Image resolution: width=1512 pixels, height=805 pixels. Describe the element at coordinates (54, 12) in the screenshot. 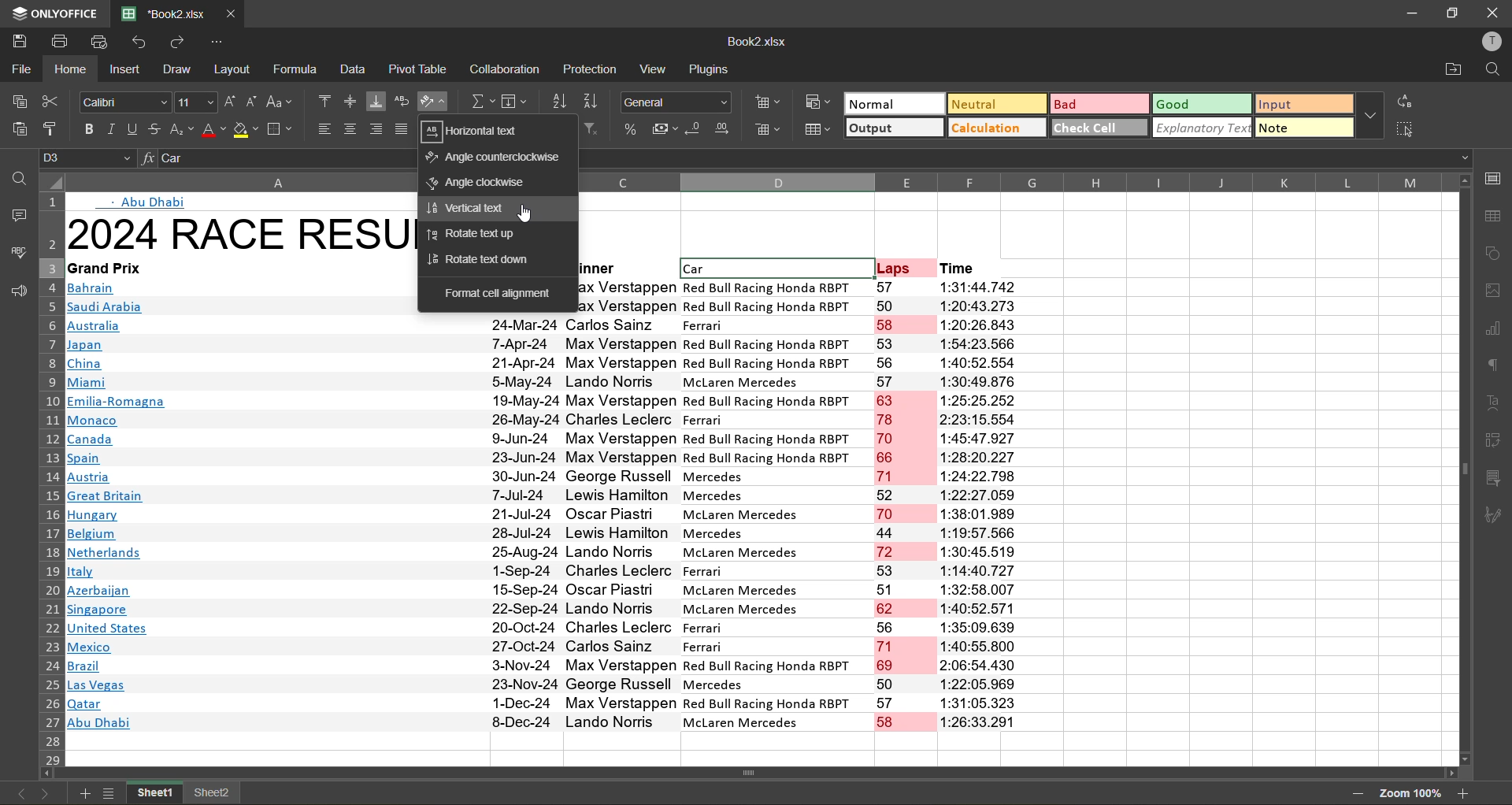

I see `app name` at that location.